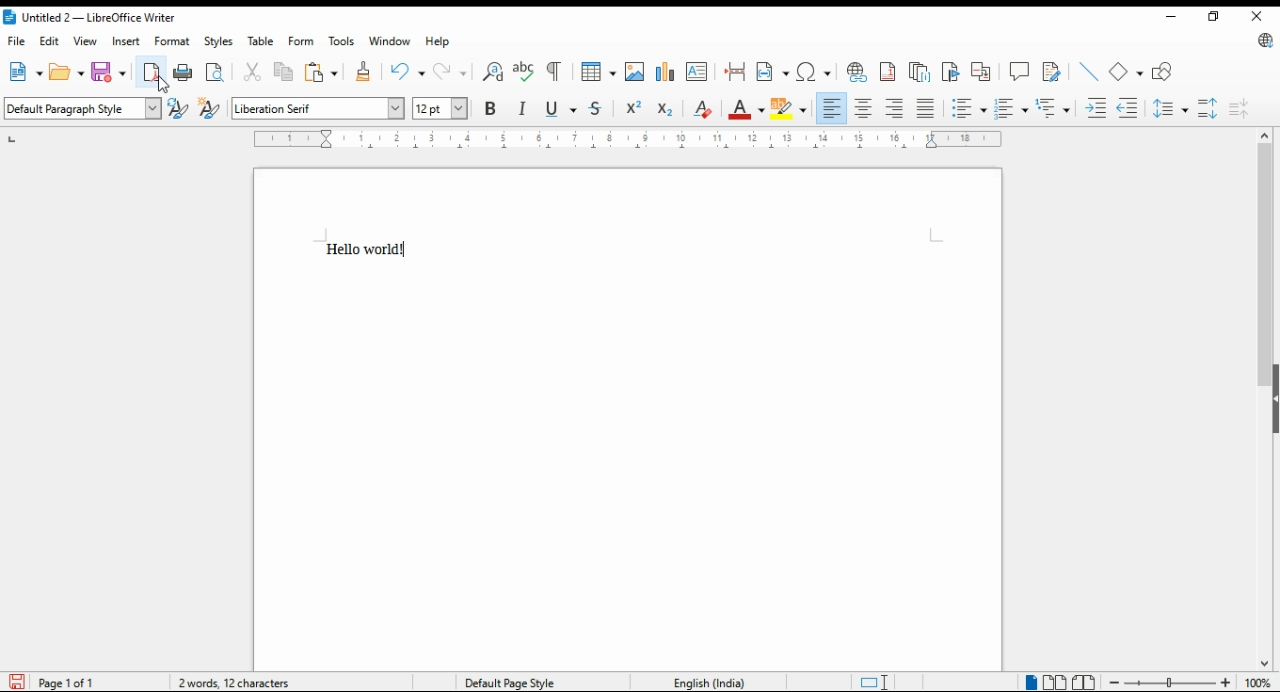  I want to click on set line spacing, so click(1171, 109).